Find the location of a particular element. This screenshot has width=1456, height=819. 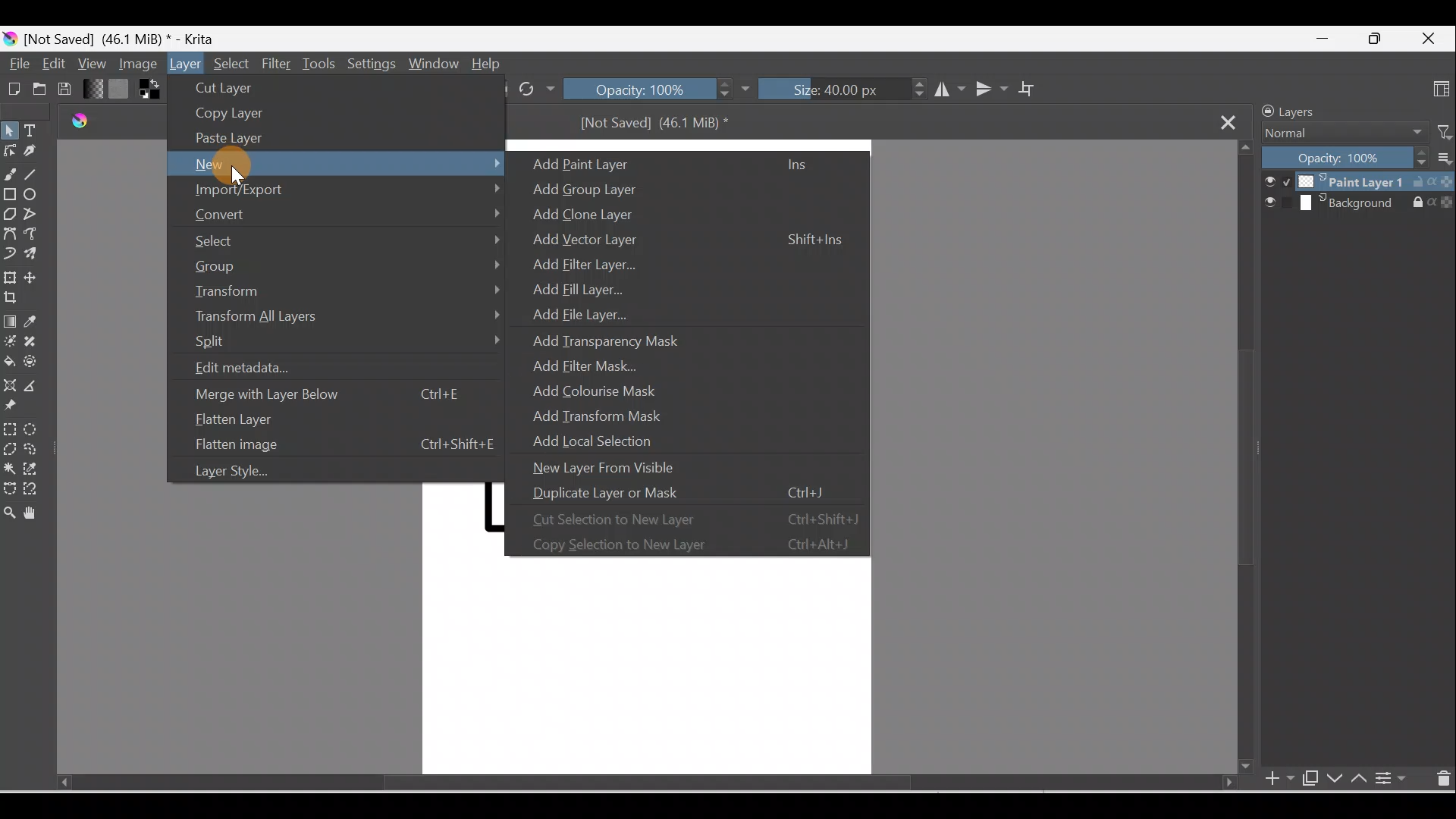

Cut layer is located at coordinates (243, 87).